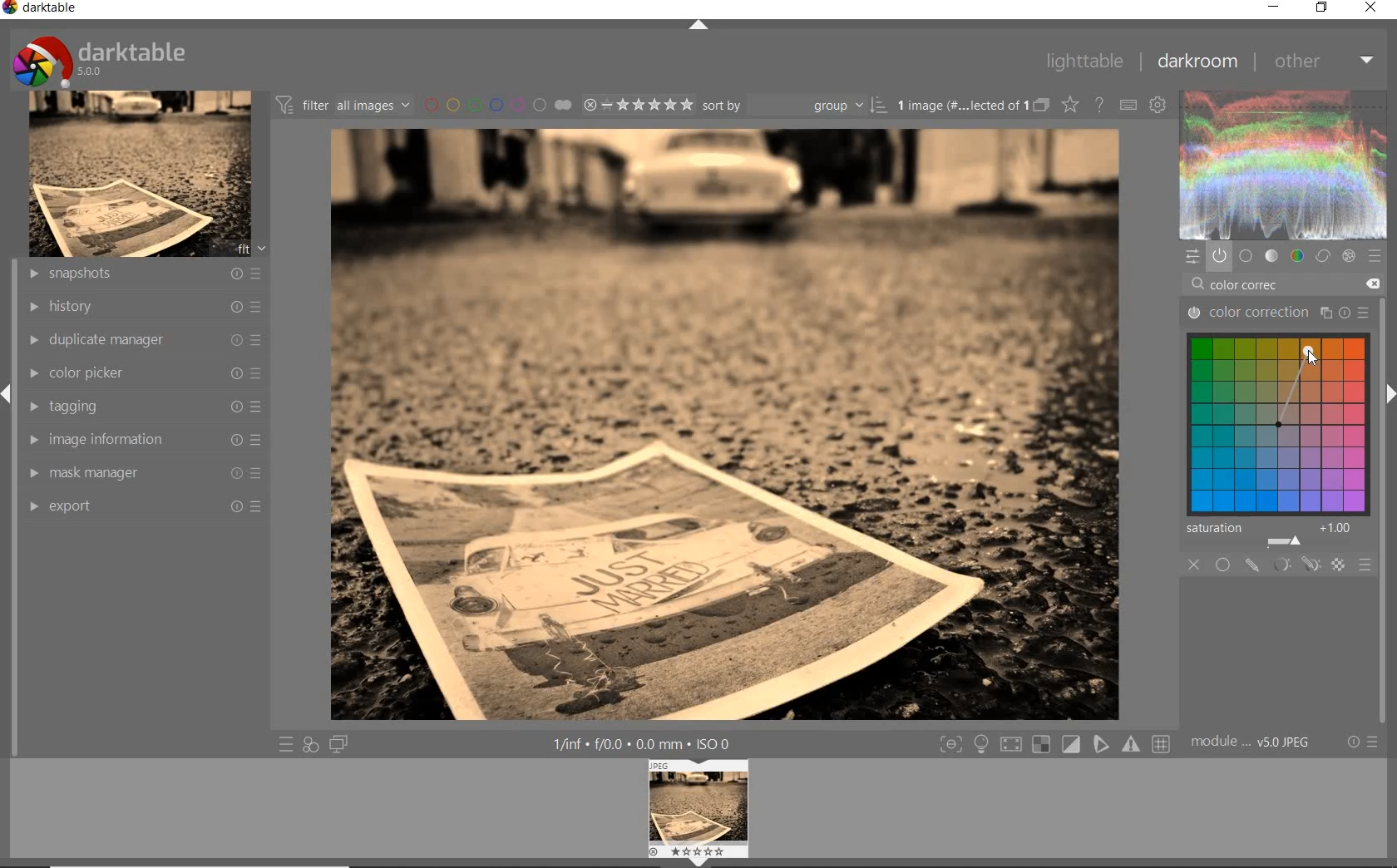 The width and height of the screenshot is (1397, 868). What do you see at coordinates (1386, 333) in the screenshot?
I see `scollbar` at bounding box center [1386, 333].